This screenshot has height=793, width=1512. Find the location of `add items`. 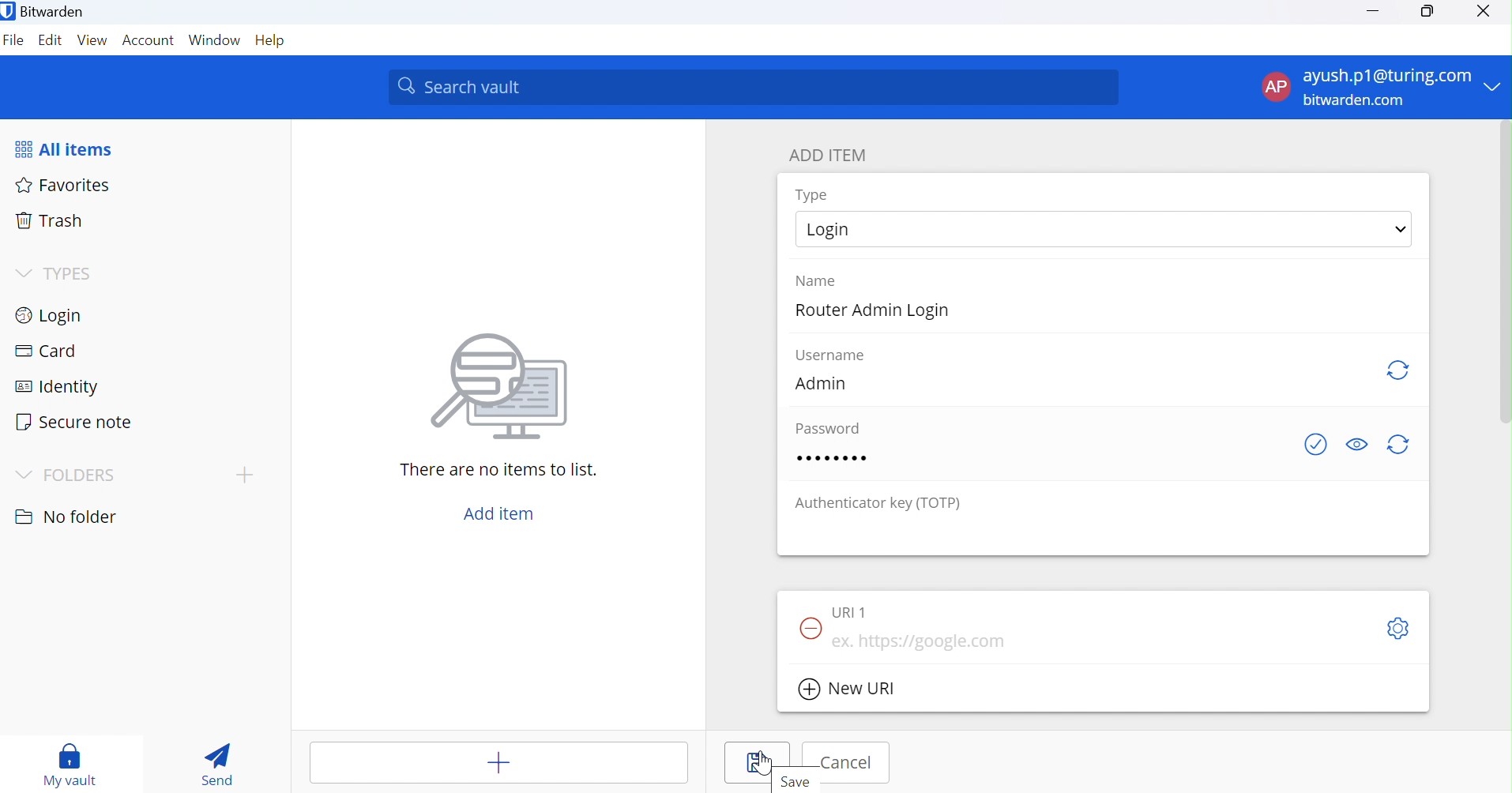

add items is located at coordinates (498, 762).